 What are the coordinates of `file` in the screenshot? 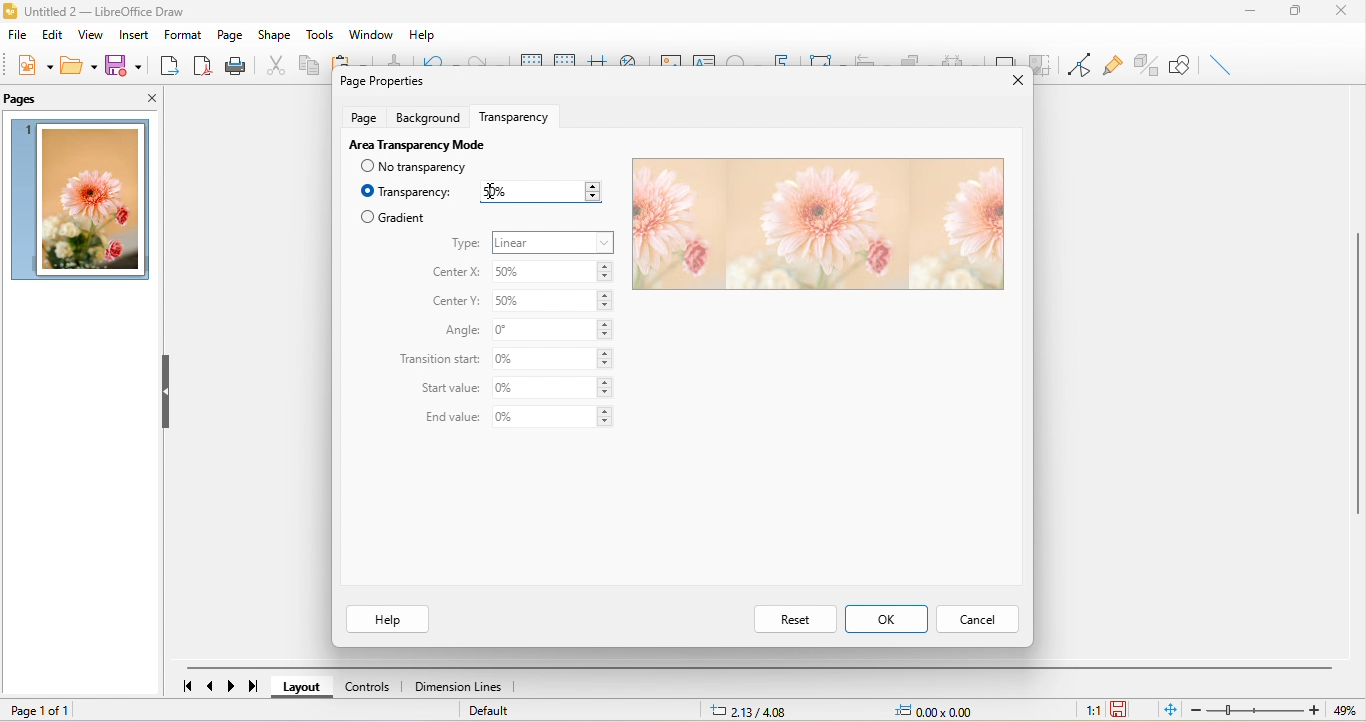 It's located at (19, 35).